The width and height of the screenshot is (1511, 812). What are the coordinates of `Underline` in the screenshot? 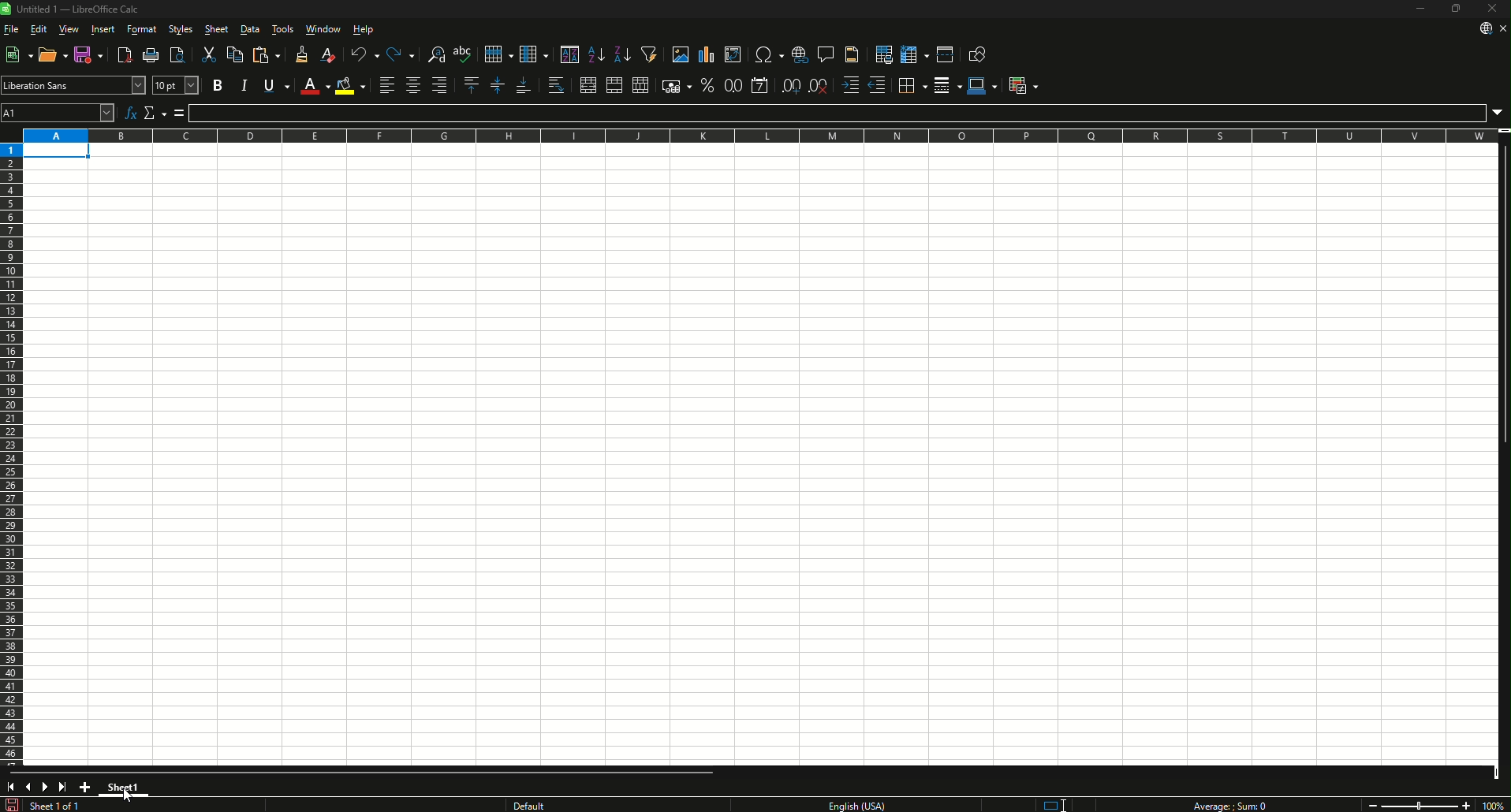 It's located at (277, 85).